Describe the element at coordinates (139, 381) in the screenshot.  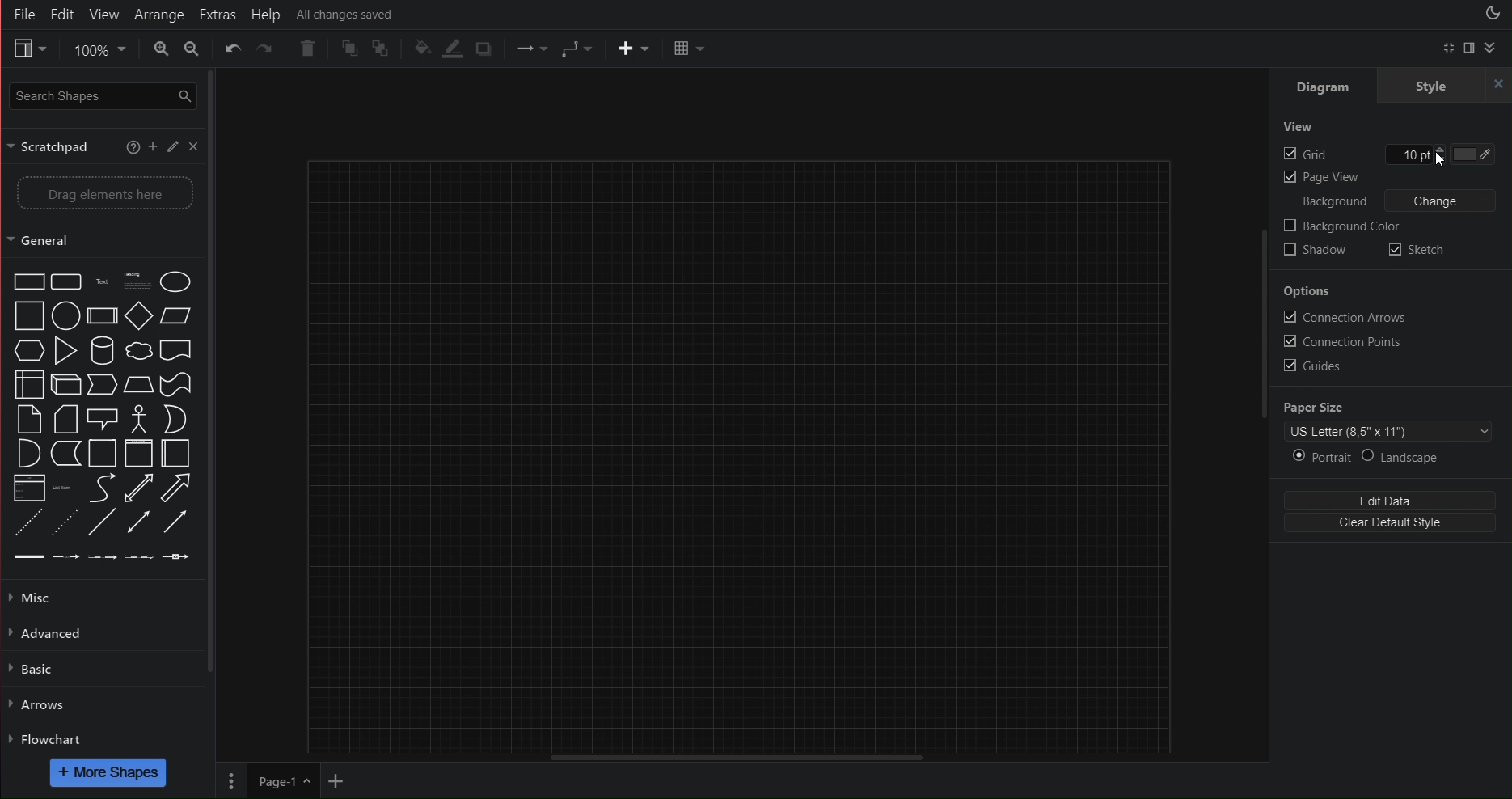
I see `trapezium` at that location.